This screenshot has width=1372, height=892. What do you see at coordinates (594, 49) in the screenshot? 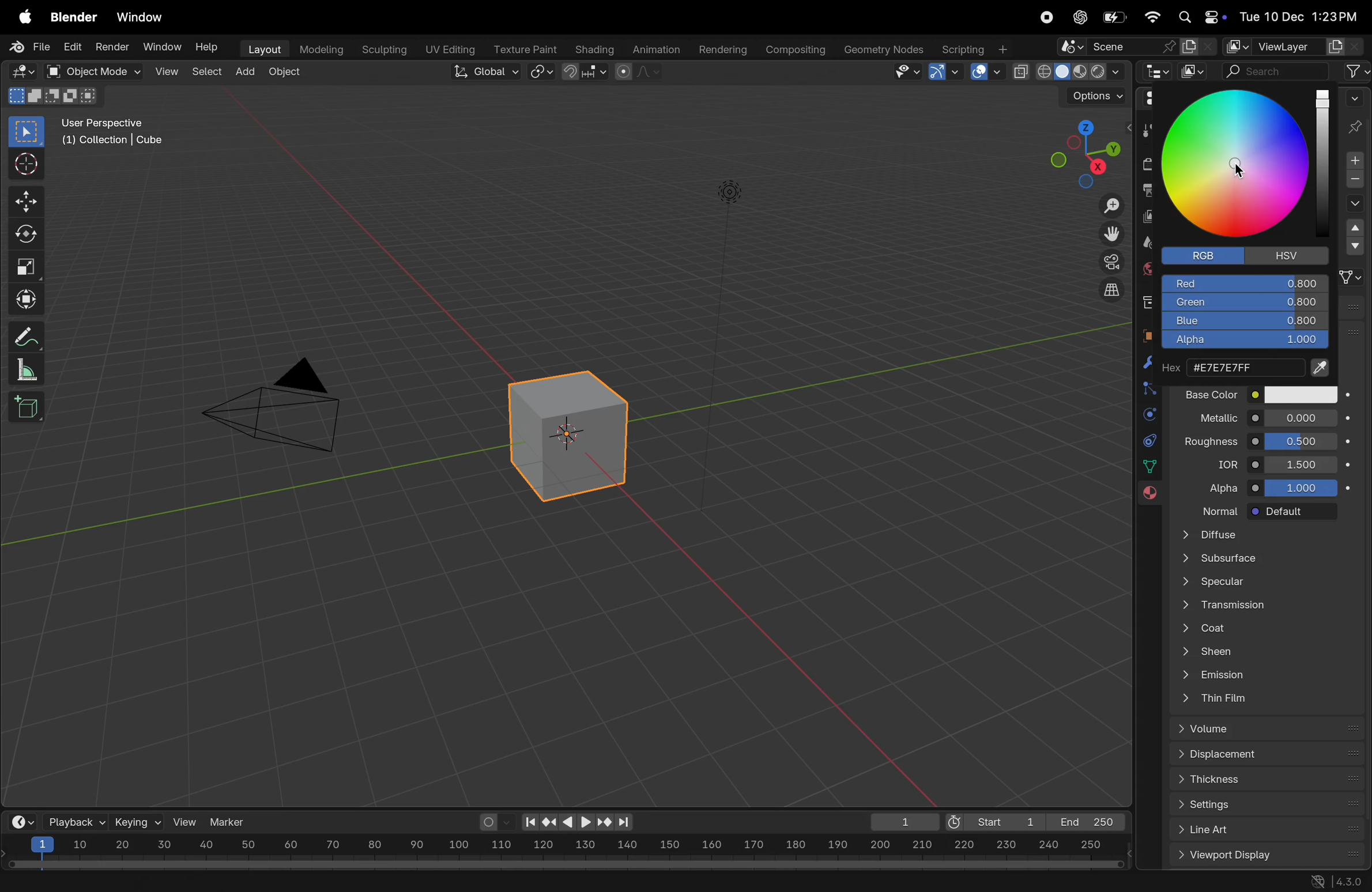
I see `Shading` at bounding box center [594, 49].